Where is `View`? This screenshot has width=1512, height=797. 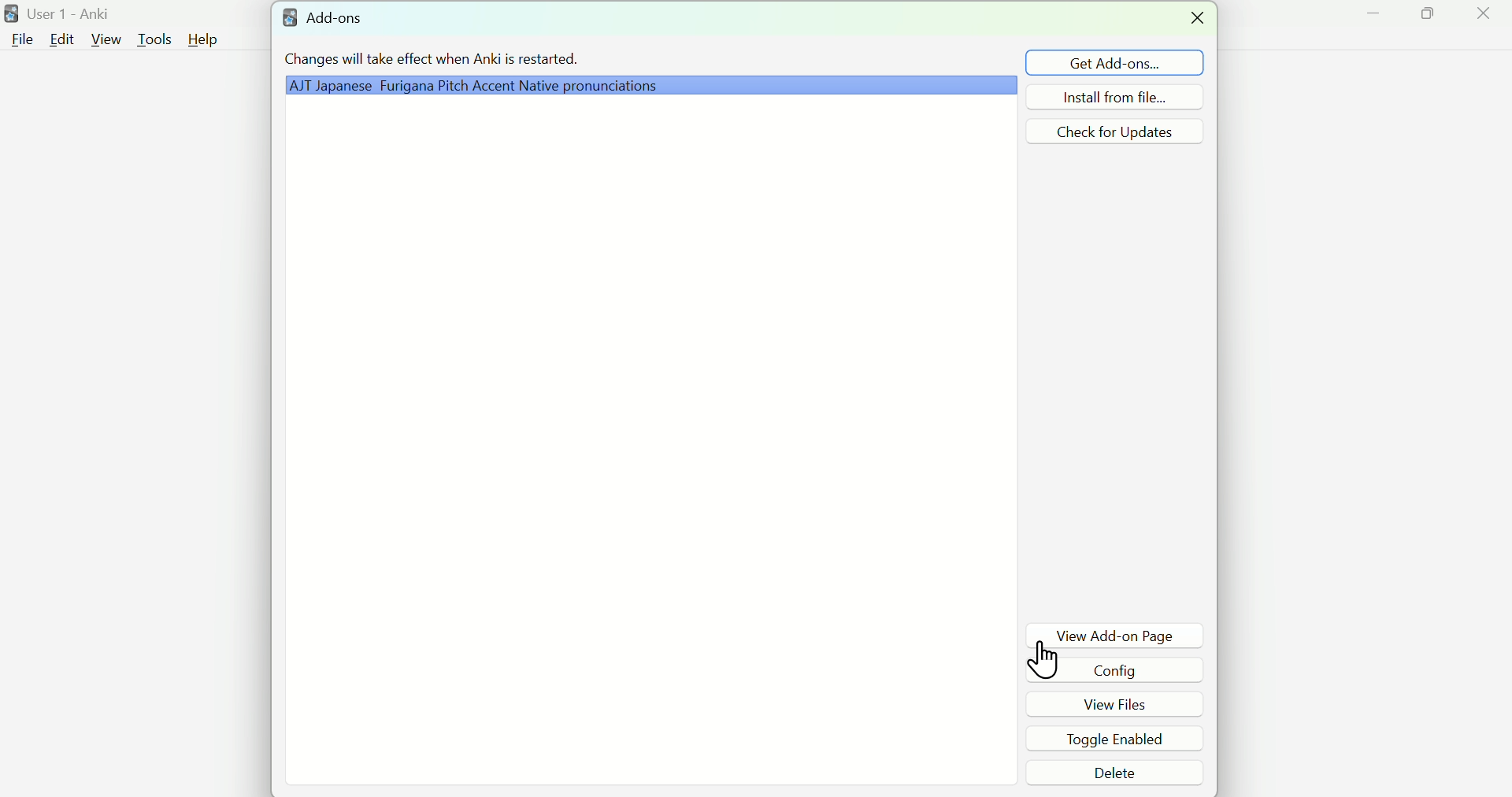
View is located at coordinates (103, 38).